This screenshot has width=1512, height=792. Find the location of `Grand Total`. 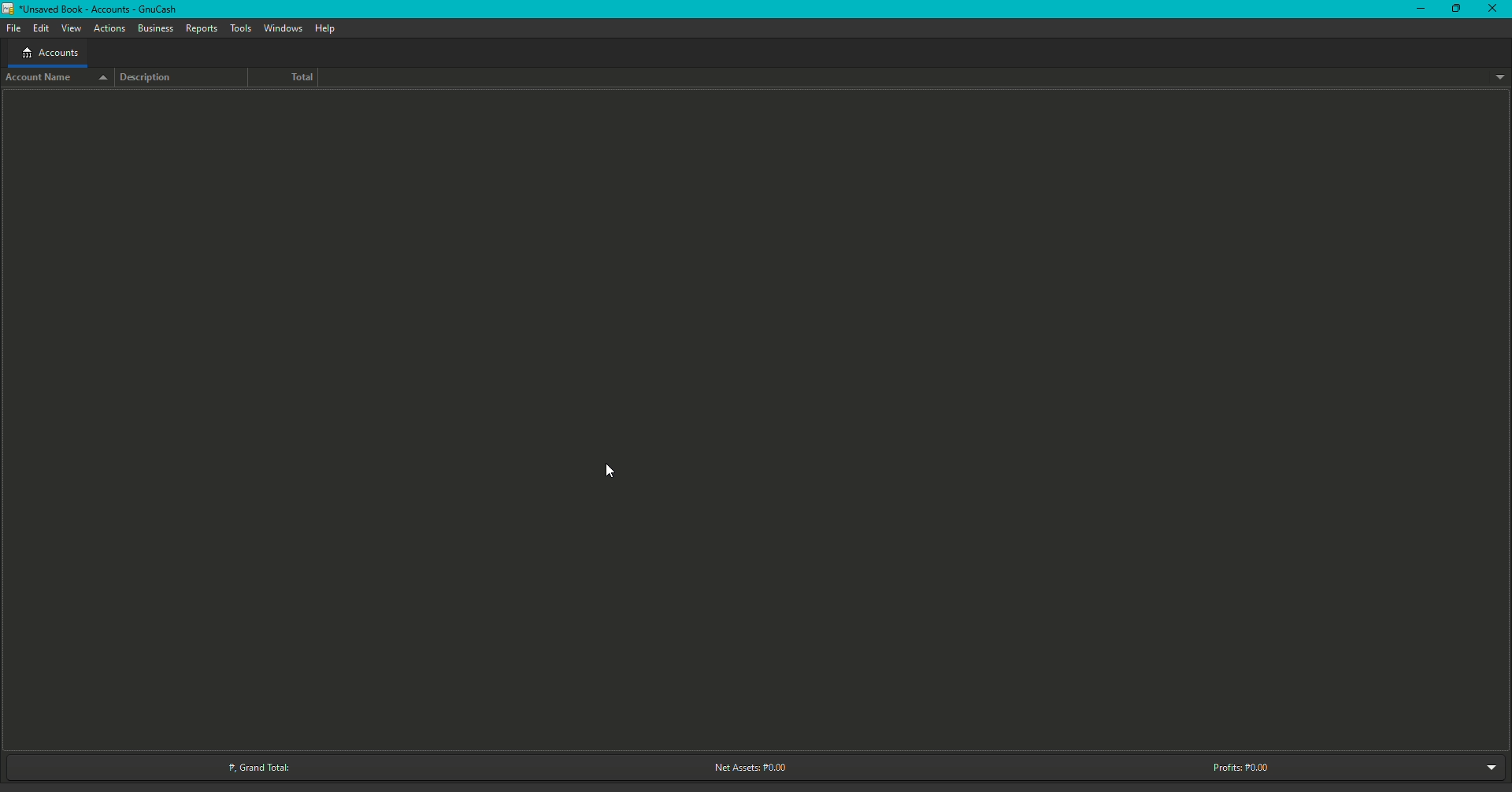

Grand Total is located at coordinates (259, 763).